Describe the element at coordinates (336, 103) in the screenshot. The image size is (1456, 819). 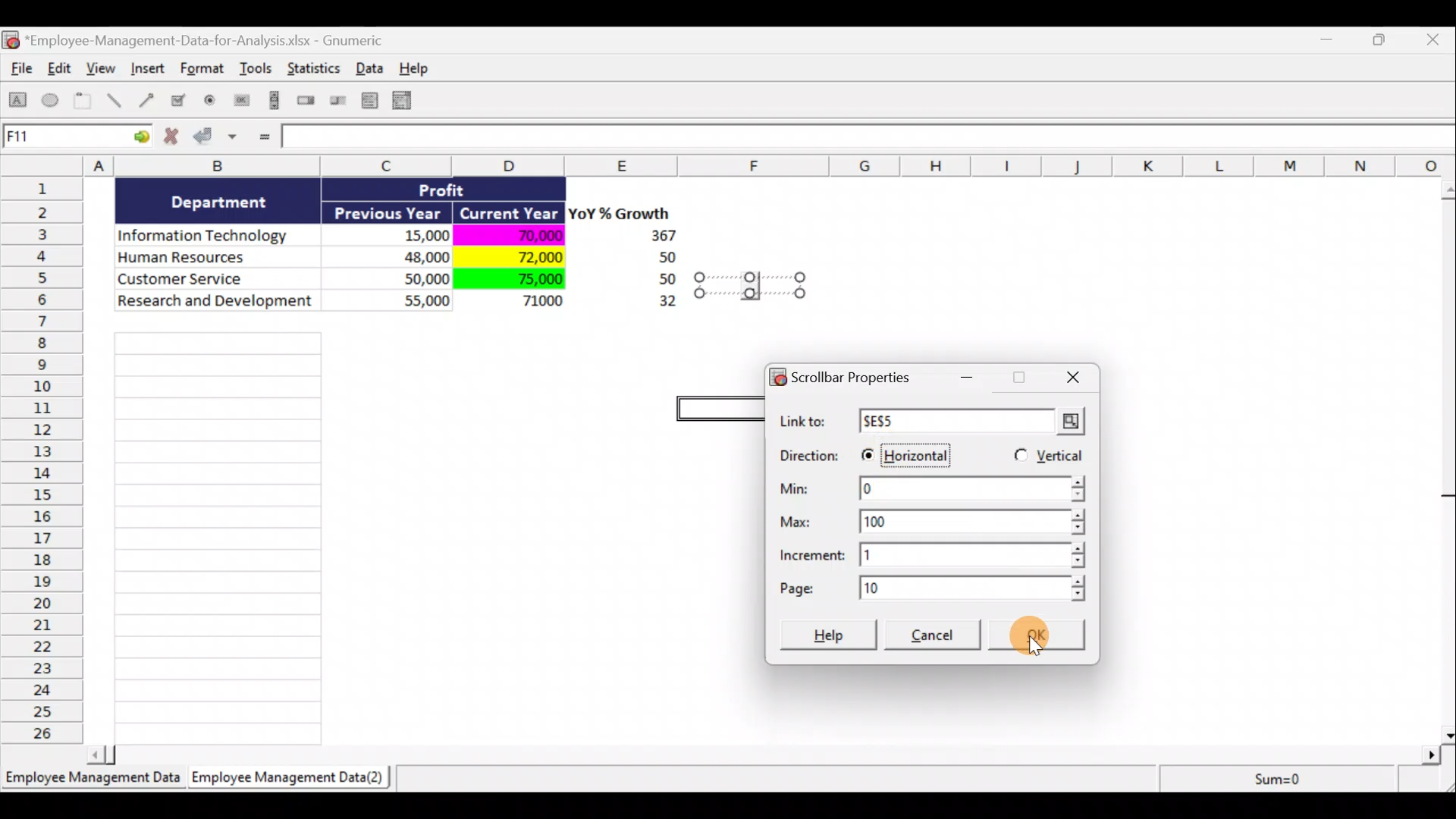
I see `Create a slider` at that location.